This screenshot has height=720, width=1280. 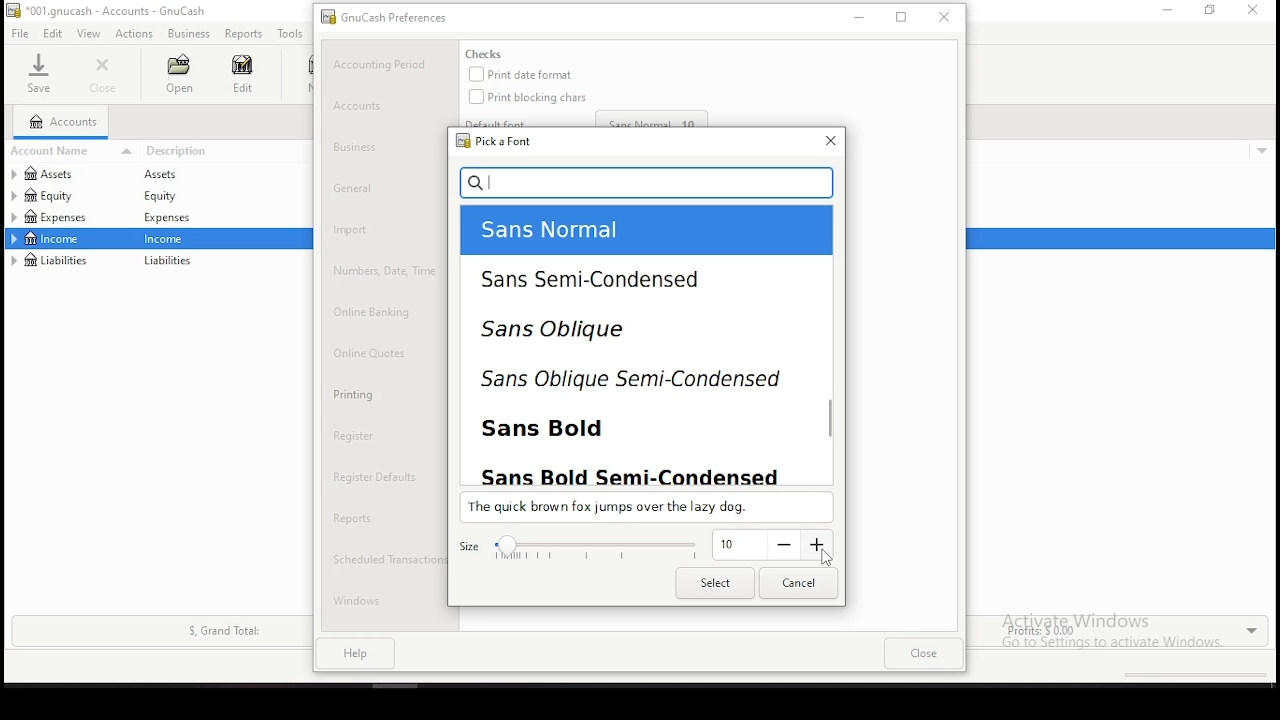 I want to click on select, so click(x=713, y=584).